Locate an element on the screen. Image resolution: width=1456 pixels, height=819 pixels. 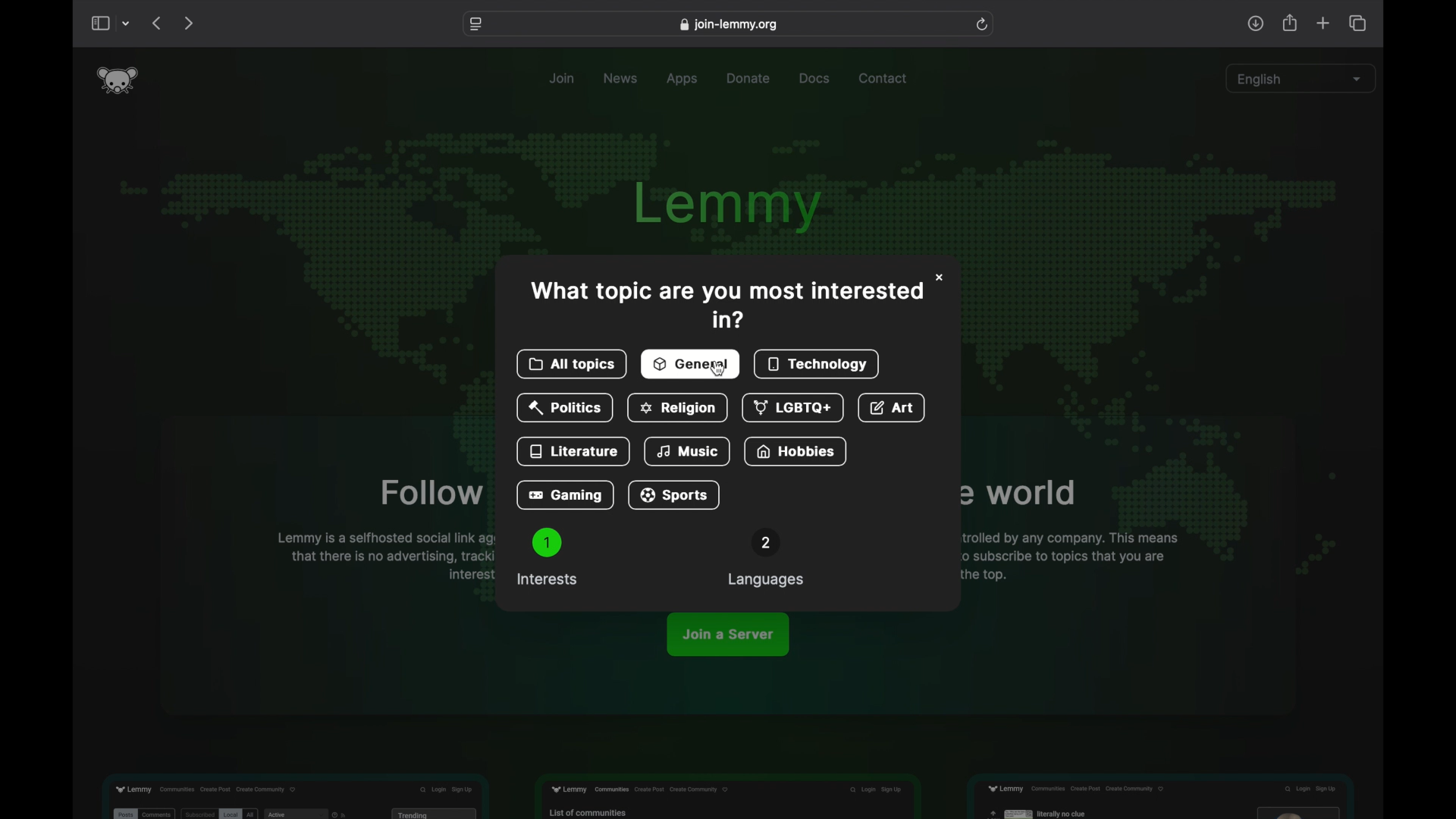
gaming is located at coordinates (565, 496).